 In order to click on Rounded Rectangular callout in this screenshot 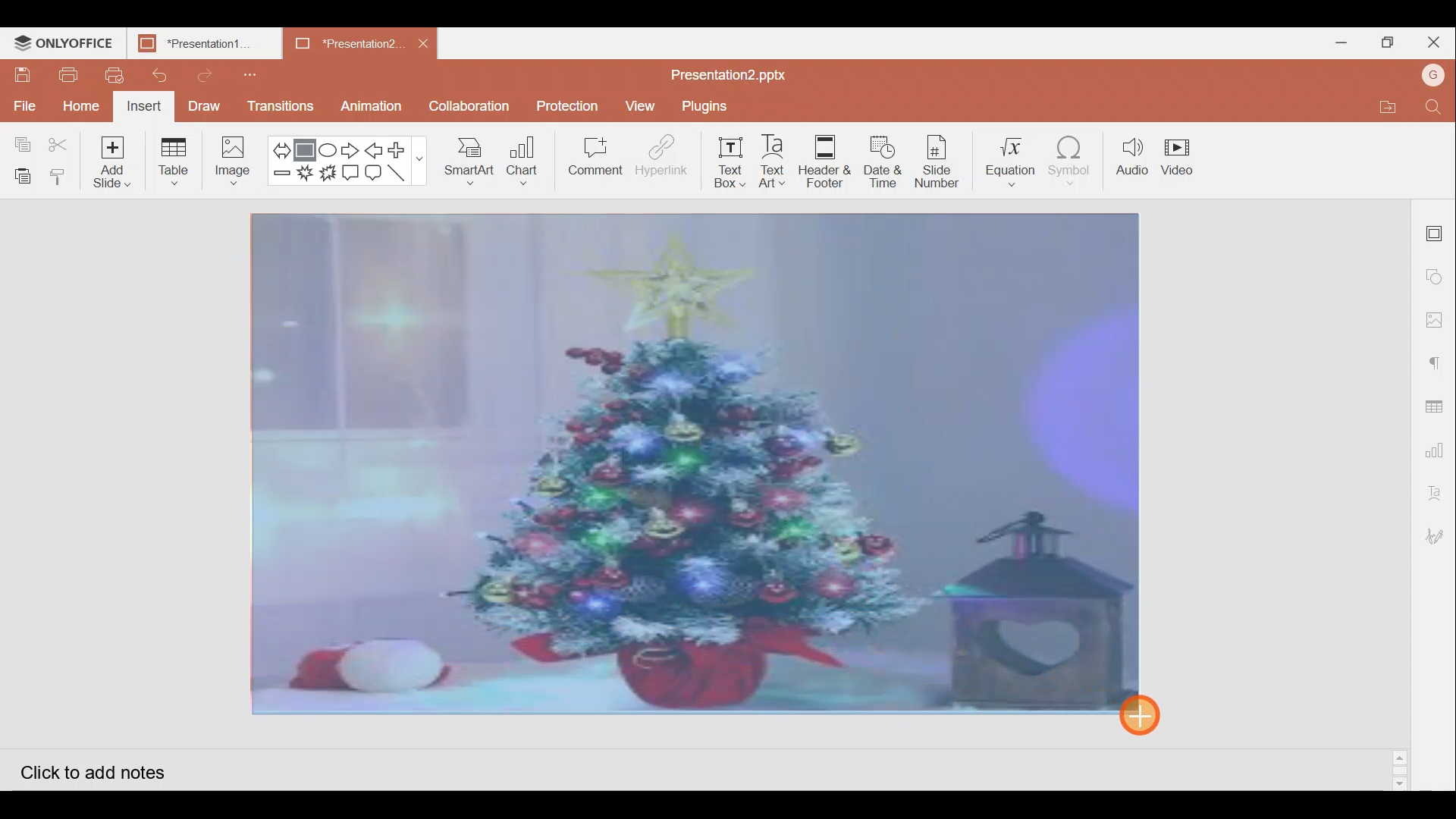, I will do `click(375, 174)`.